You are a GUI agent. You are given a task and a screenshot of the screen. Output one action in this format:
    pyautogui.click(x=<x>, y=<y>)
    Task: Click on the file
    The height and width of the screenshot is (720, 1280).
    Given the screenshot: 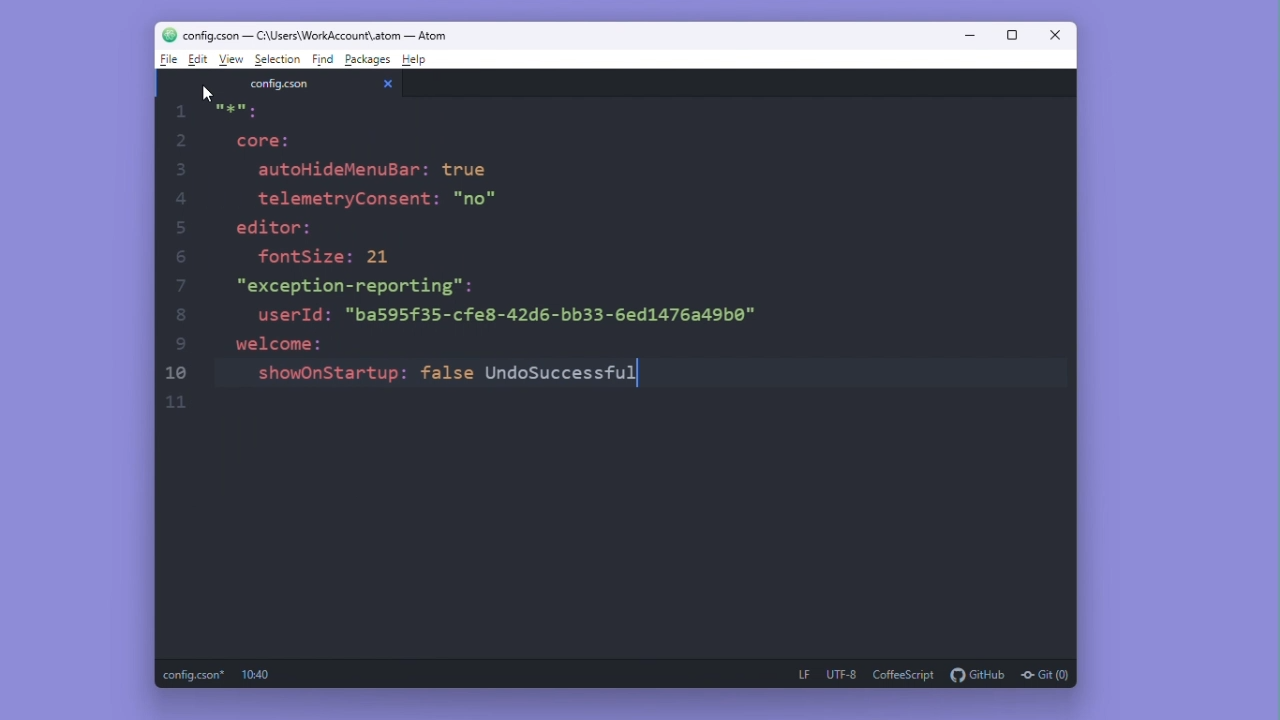 What is the action you would take?
    pyautogui.click(x=167, y=61)
    